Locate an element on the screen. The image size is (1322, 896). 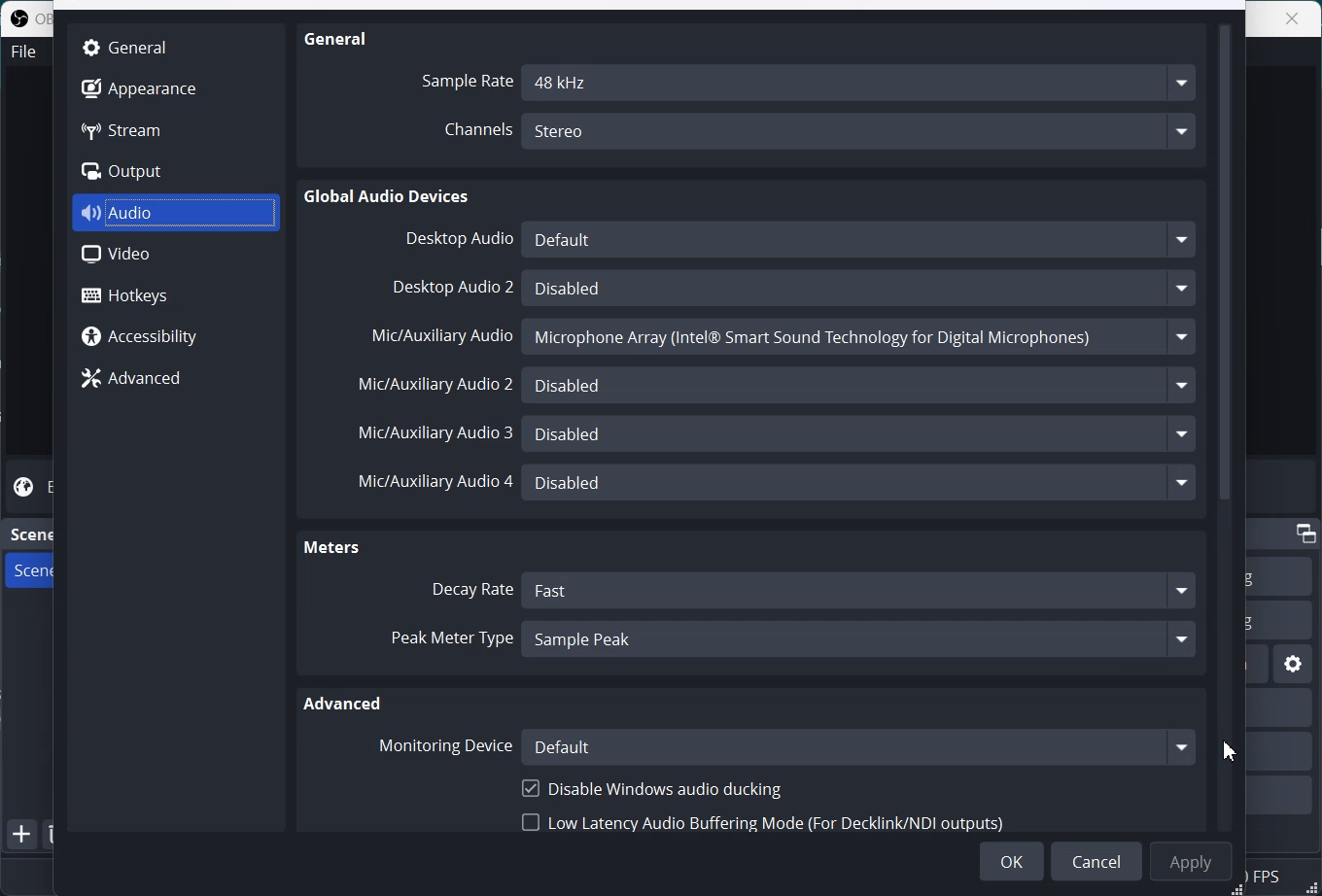
Disabled is located at coordinates (859, 433).